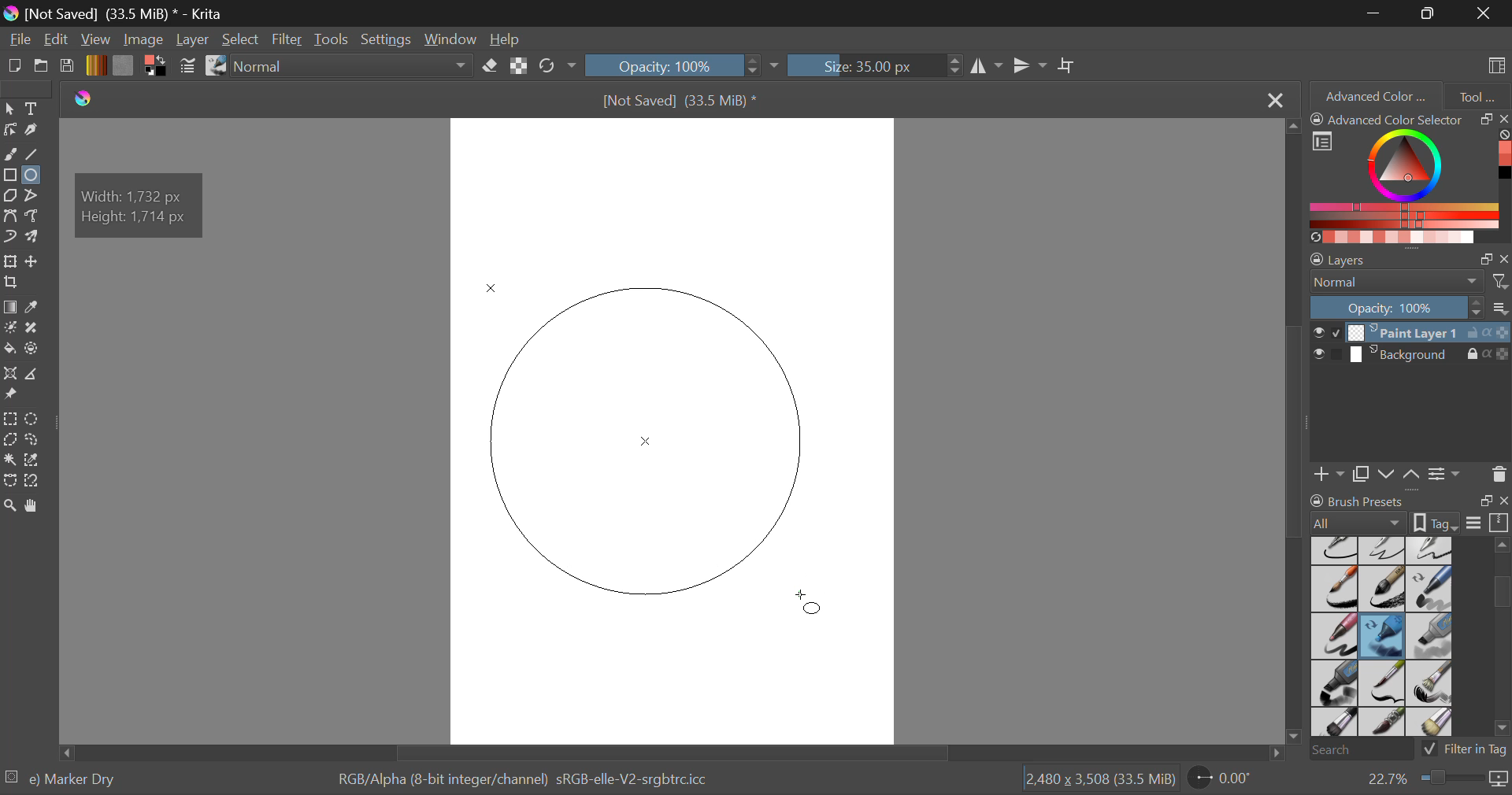 This screenshot has width=1512, height=795. What do you see at coordinates (11, 375) in the screenshot?
I see `Assistant Tool` at bounding box center [11, 375].